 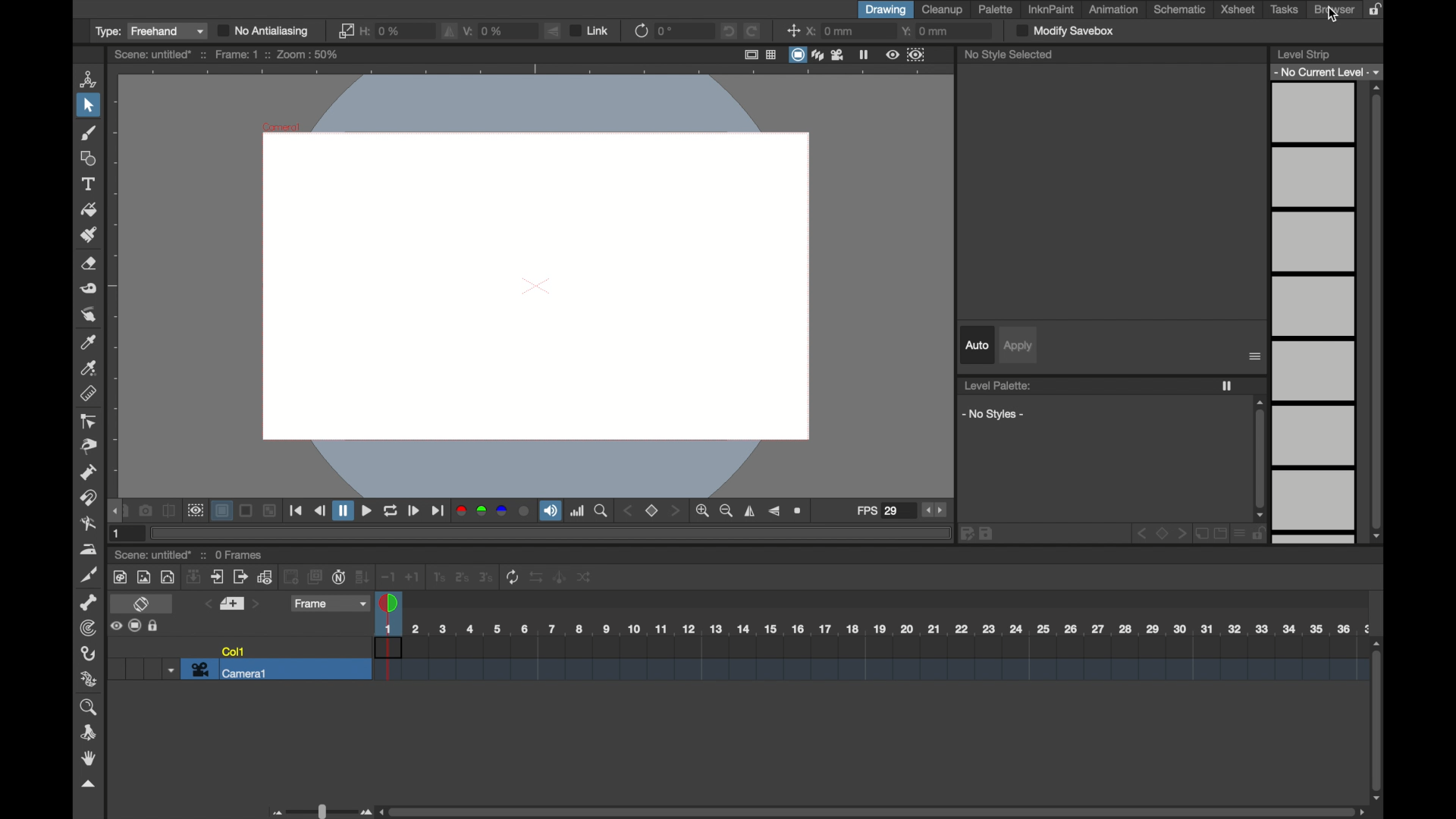 What do you see at coordinates (88, 209) in the screenshot?
I see `fill tool` at bounding box center [88, 209].